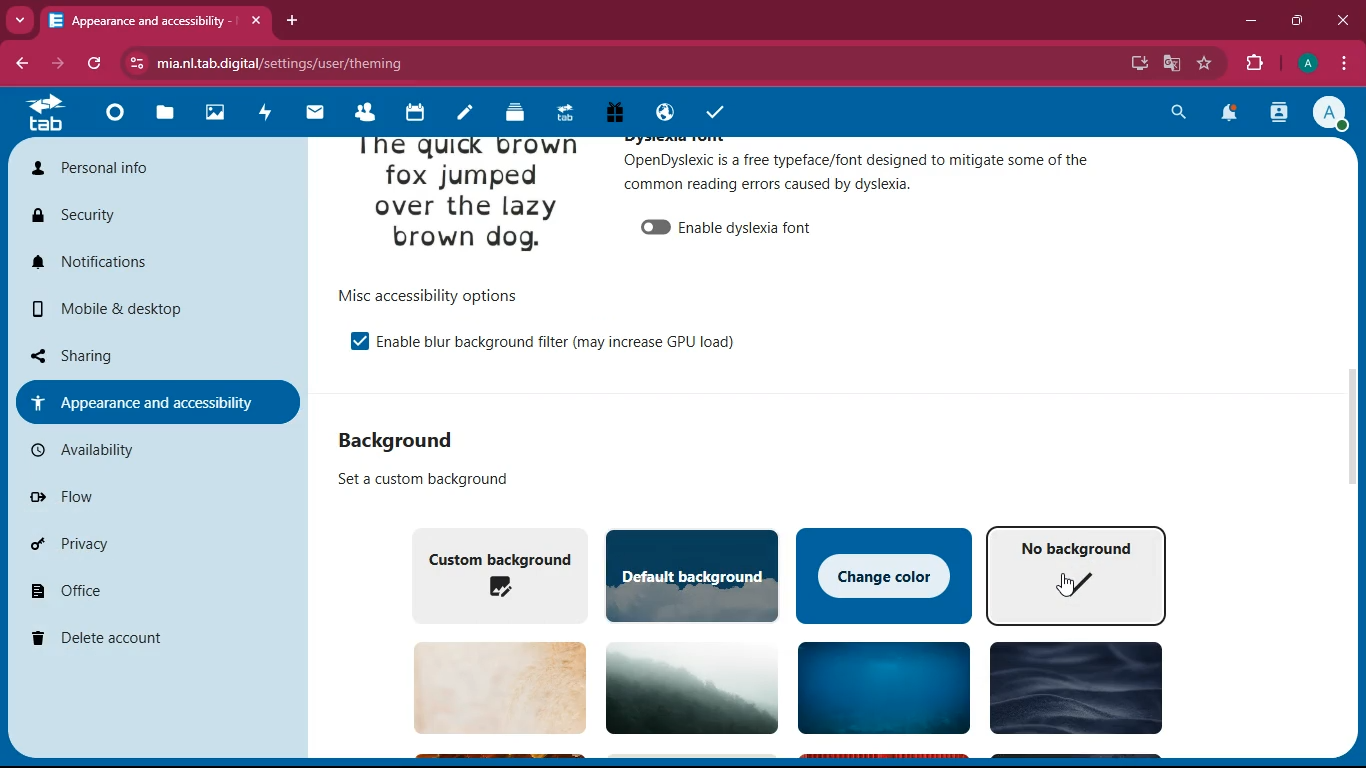 Image resolution: width=1366 pixels, height=768 pixels. Describe the element at coordinates (879, 690) in the screenshot. I see `background` at that location.